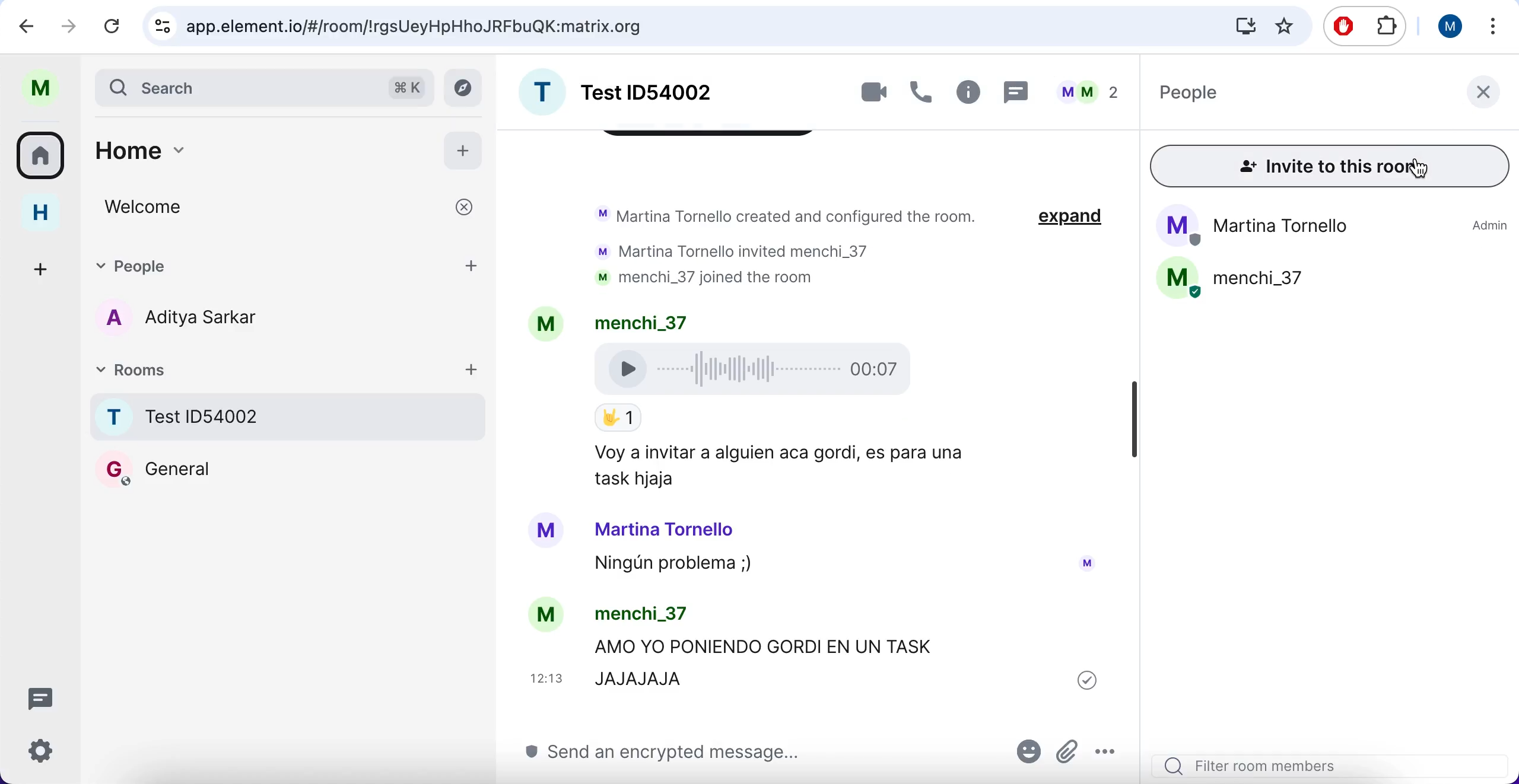 Image resolution: width=1519 pixels, height=784 pixels. What do you see at coordinates (1385, 29) in the screenshot?
I see `extensioms` at bounding box center [1385, 29].